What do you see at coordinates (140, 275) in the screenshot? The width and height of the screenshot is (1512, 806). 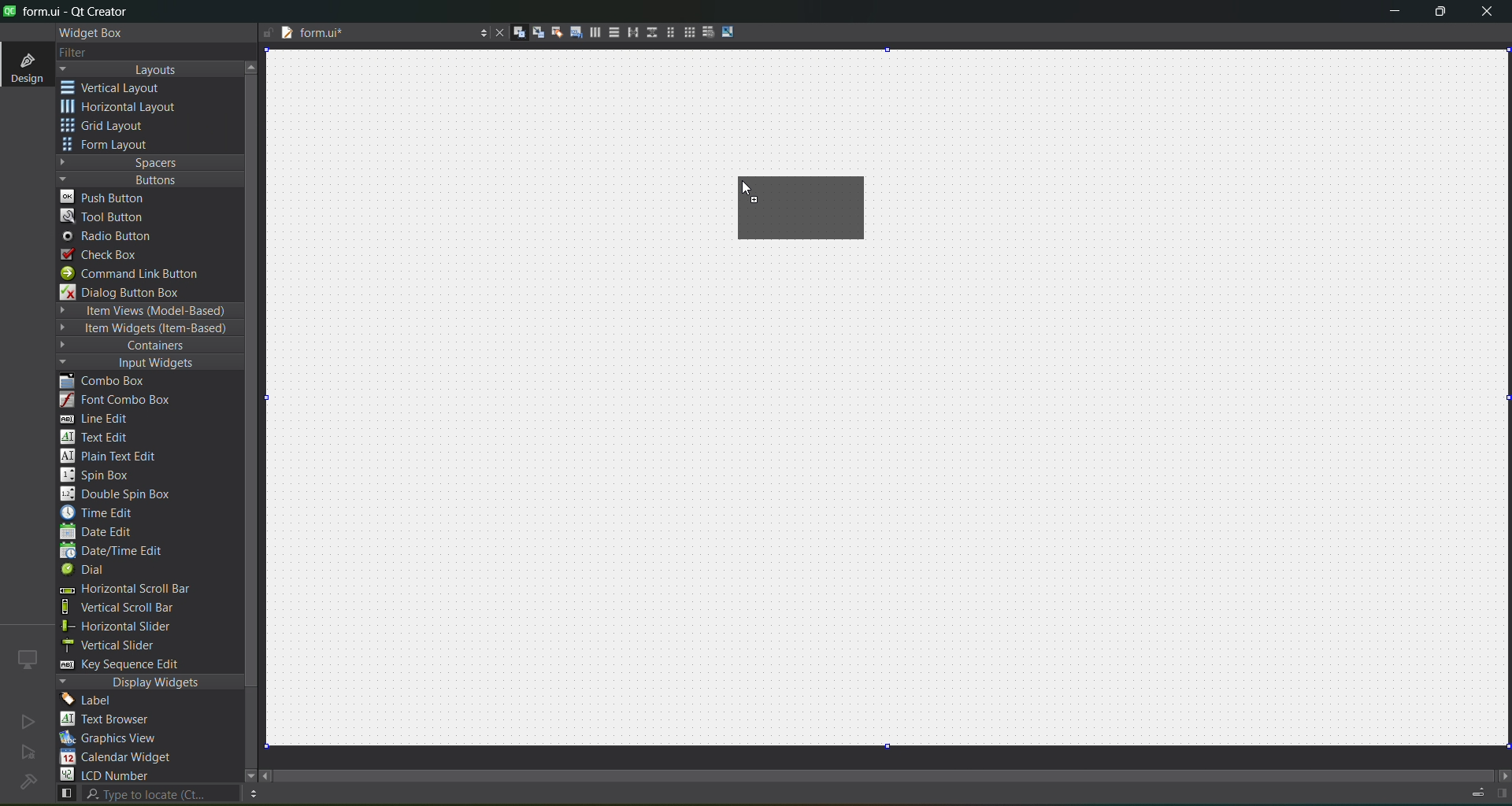 I see `command` at bounding box center [140, 275].